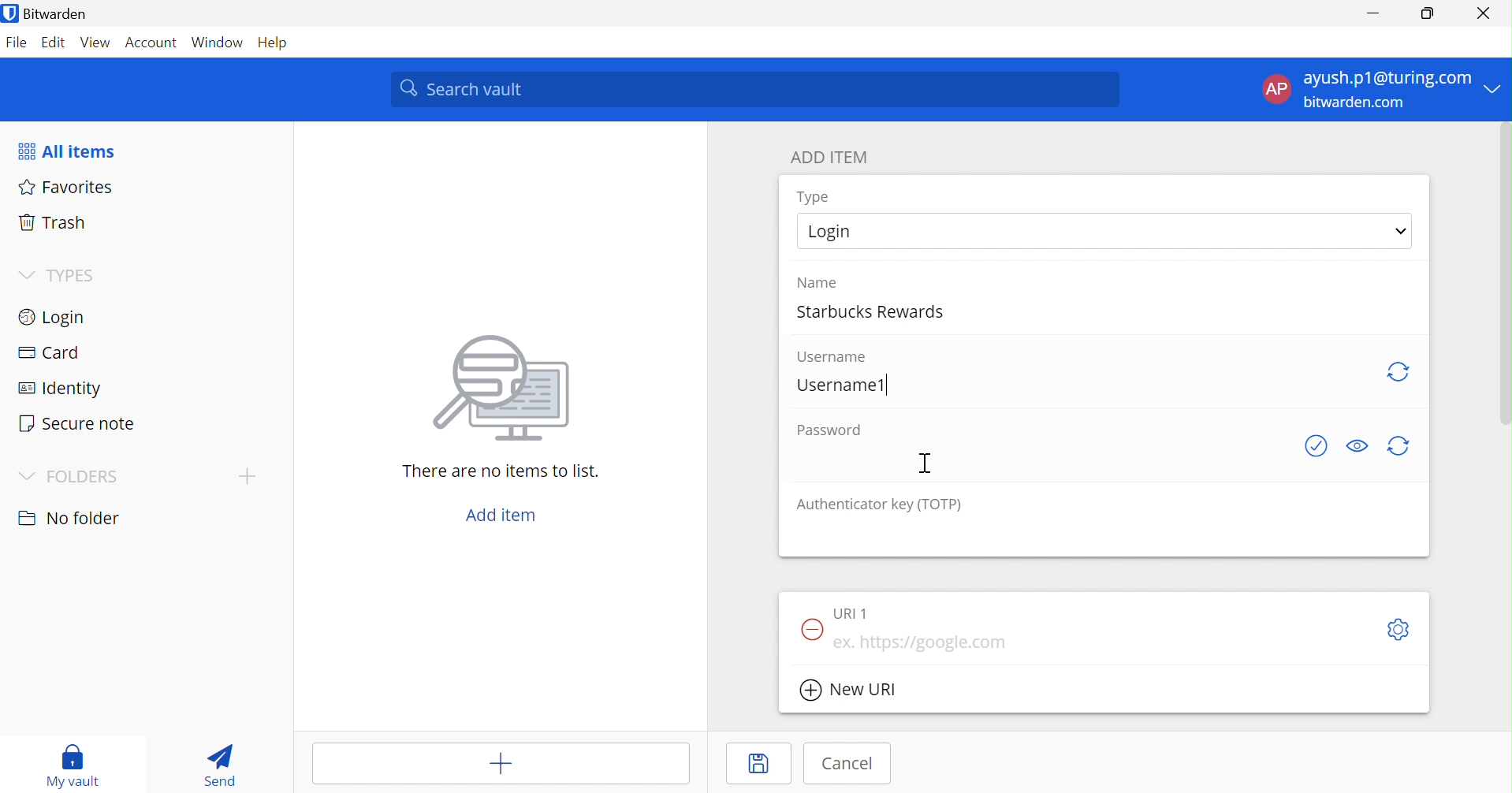 This screenshot has width=1512, height=793. What do you see at coordinates (754, 90) in the screenshot?
I see `Search vault` at bounding box center [754, 90].